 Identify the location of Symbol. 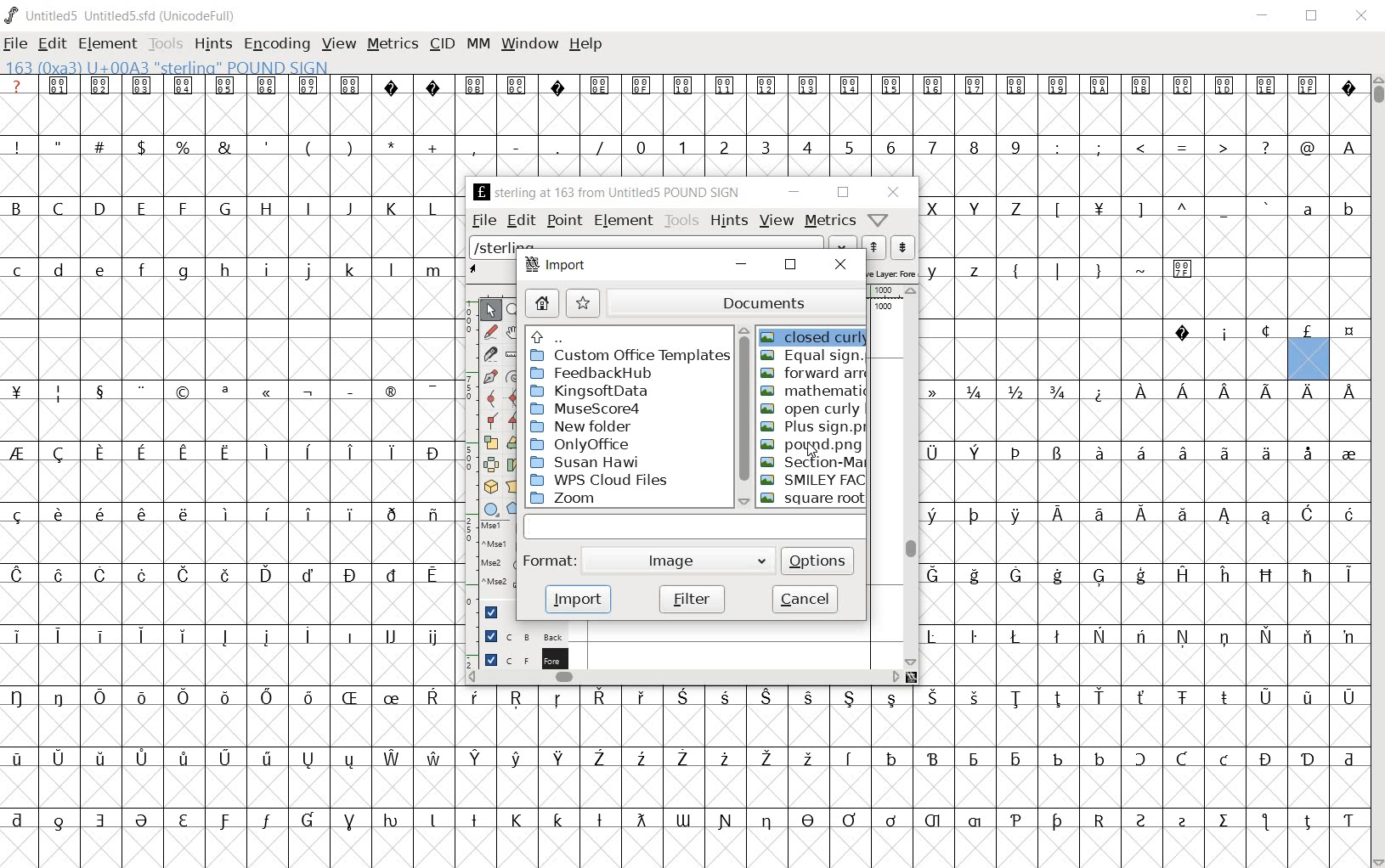
(268, 85).